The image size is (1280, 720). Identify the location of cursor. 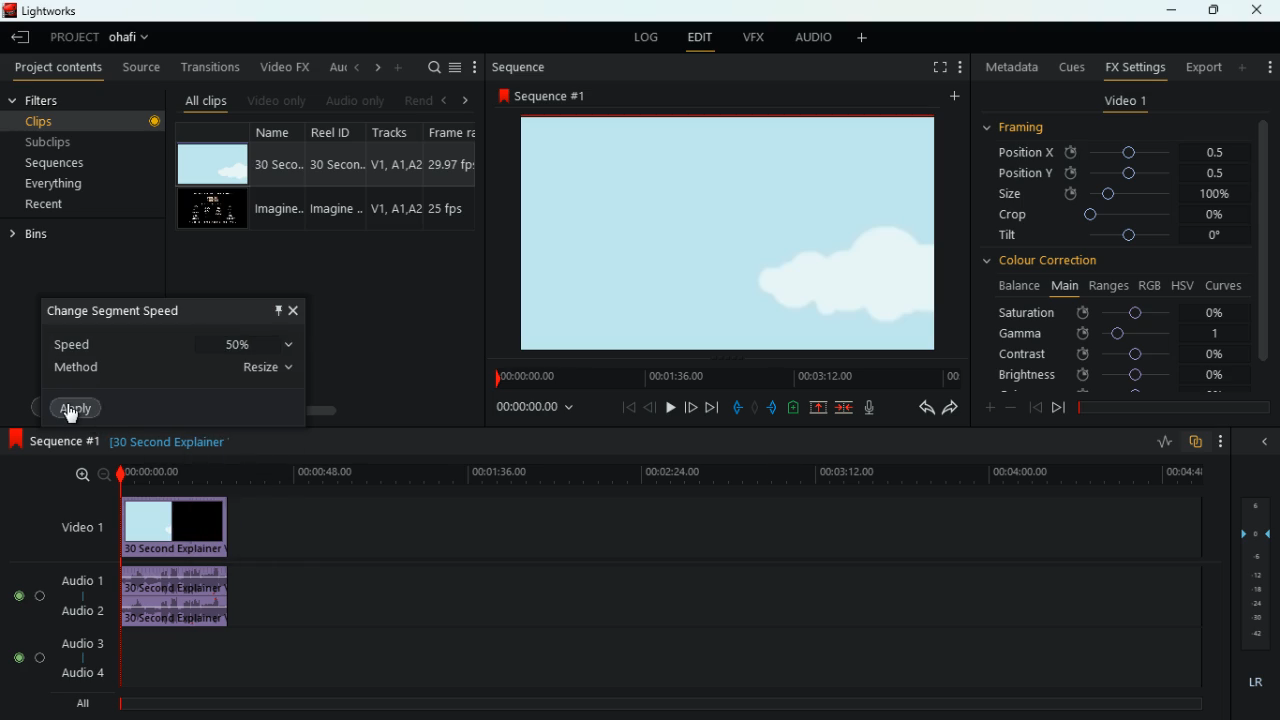
(71, 414).